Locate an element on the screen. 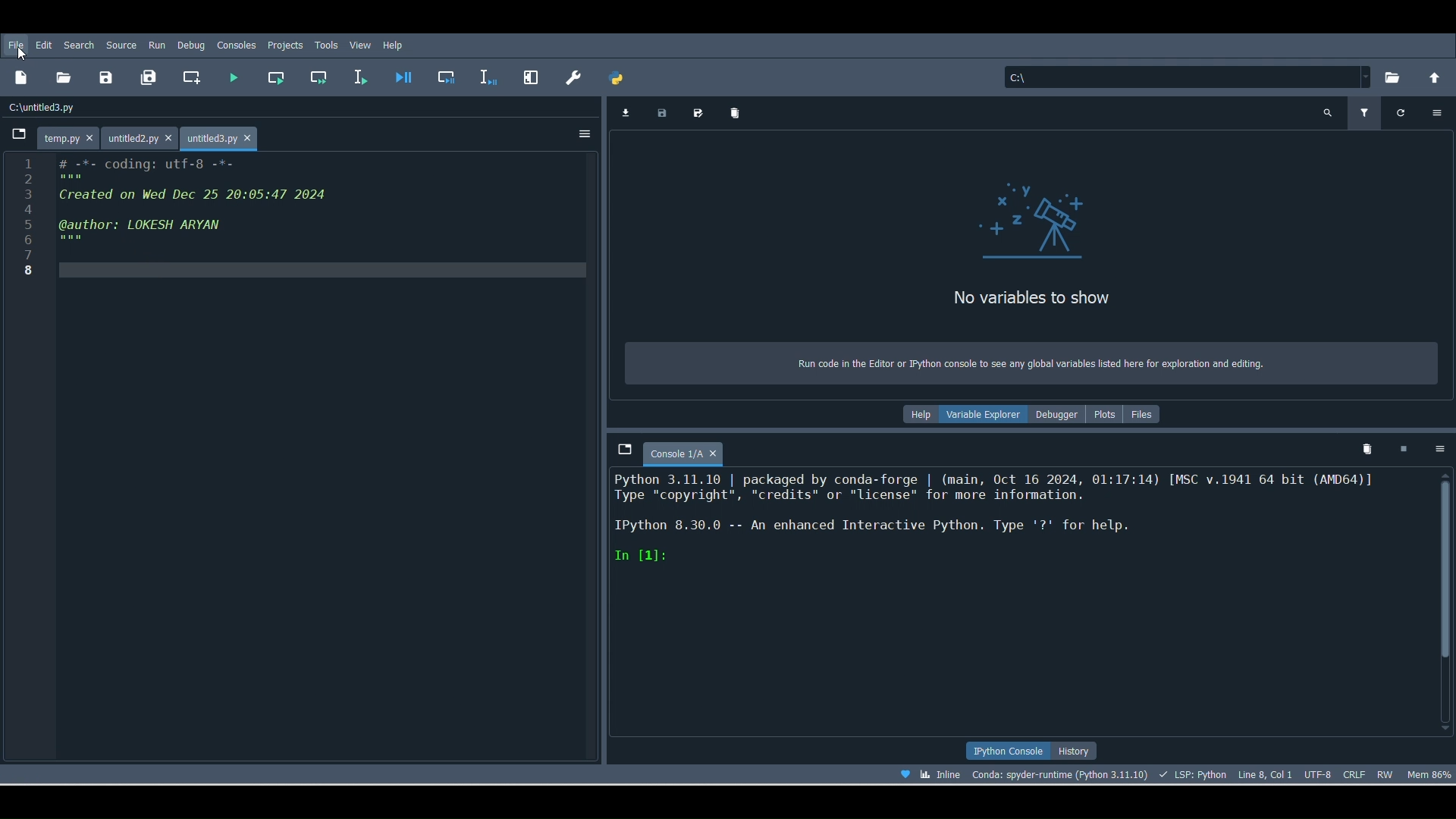 The width and height of the screenshot is (1456, 819). Save data as is located at coordinates (702, 112).